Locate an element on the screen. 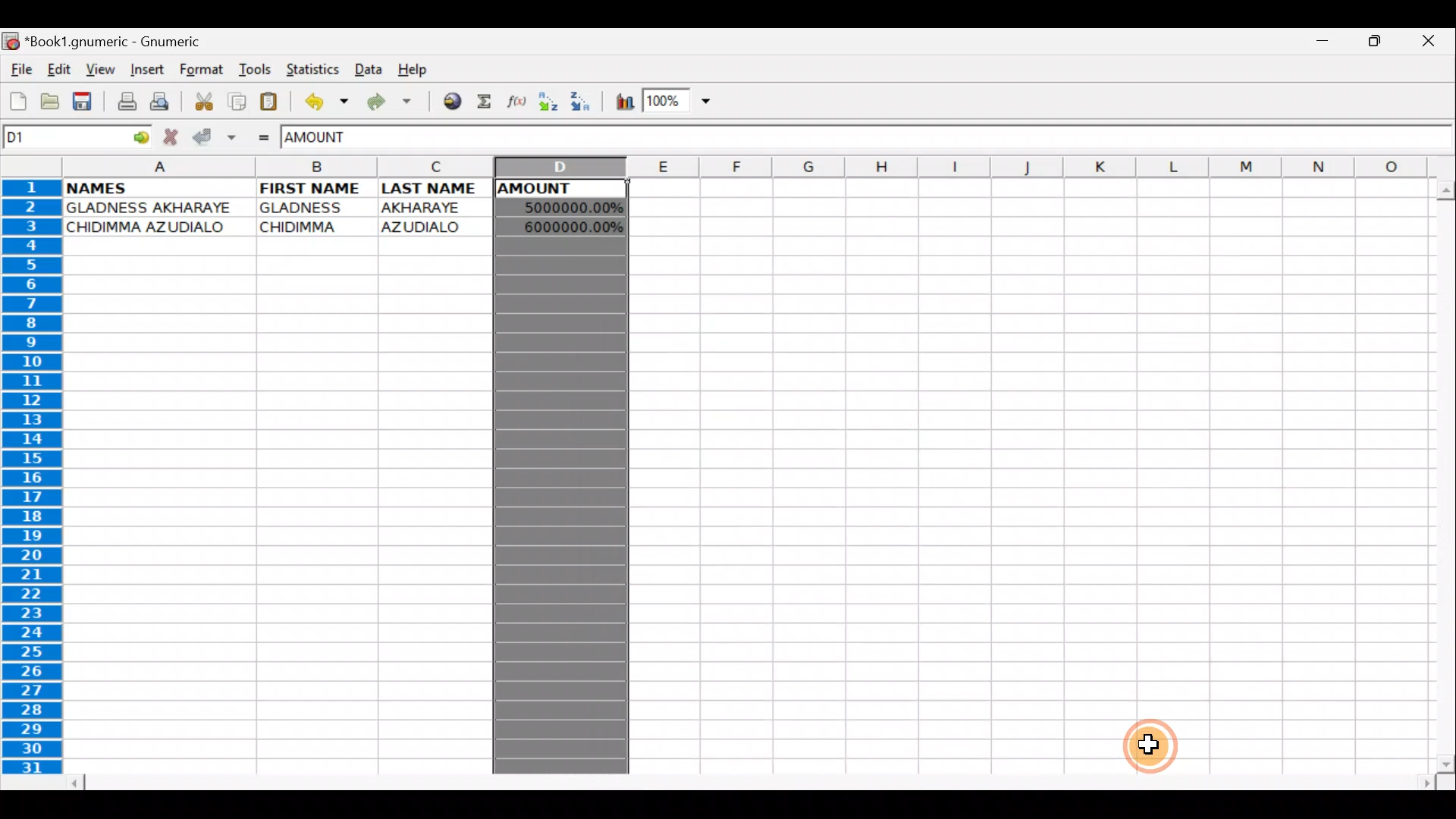 The width and height of the screenshot is (1456, 819). Scroll bar is located at coordinates (1439, 472).